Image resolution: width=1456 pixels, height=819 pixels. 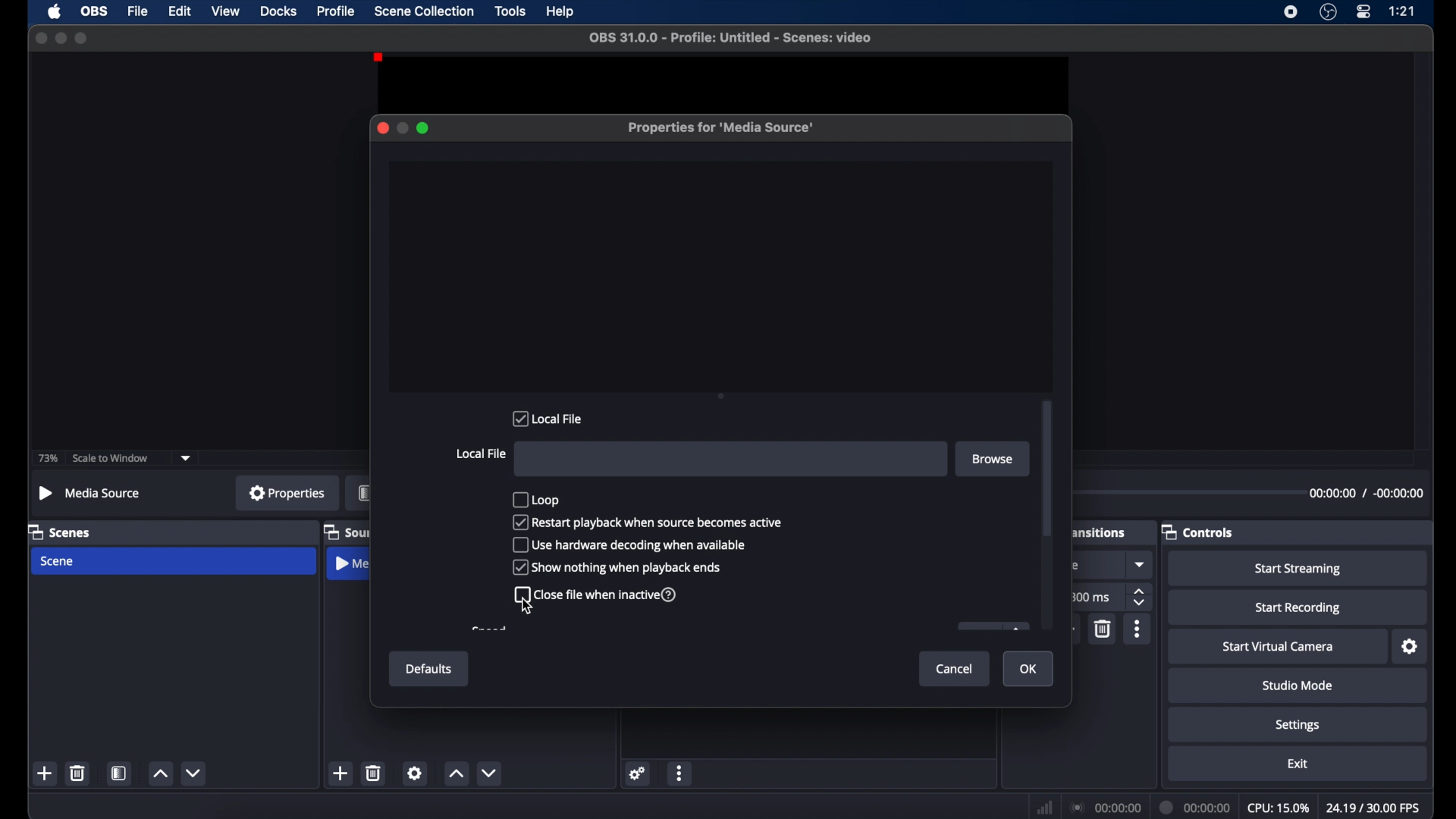 What do you see at coordinates (510, 11) in the screenshot?
I see `tools` at bounding box center [510, 11].